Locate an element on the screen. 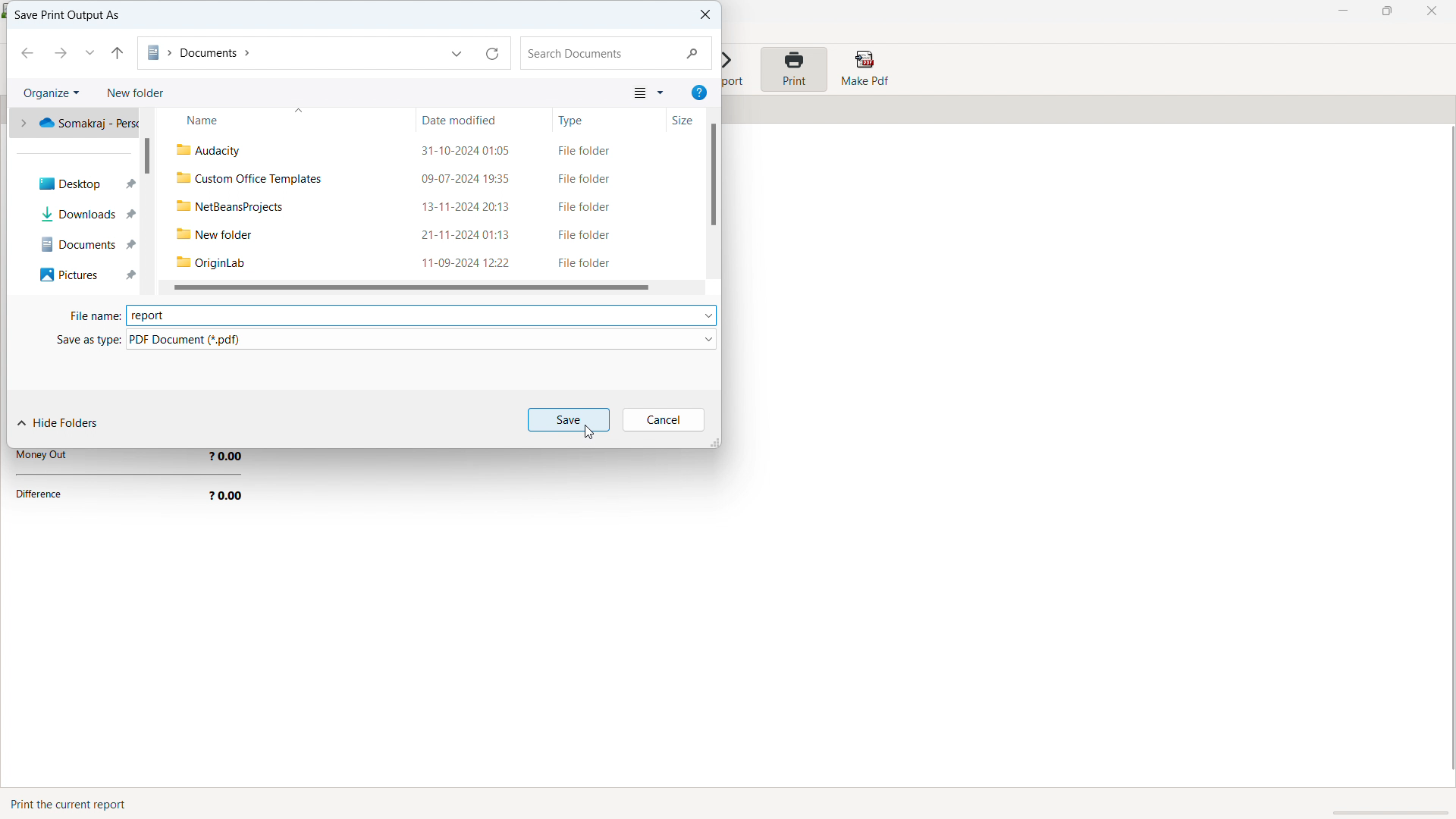 The width and height of the screenshot is (1456, 819). print is located at coordinates (793, 69).